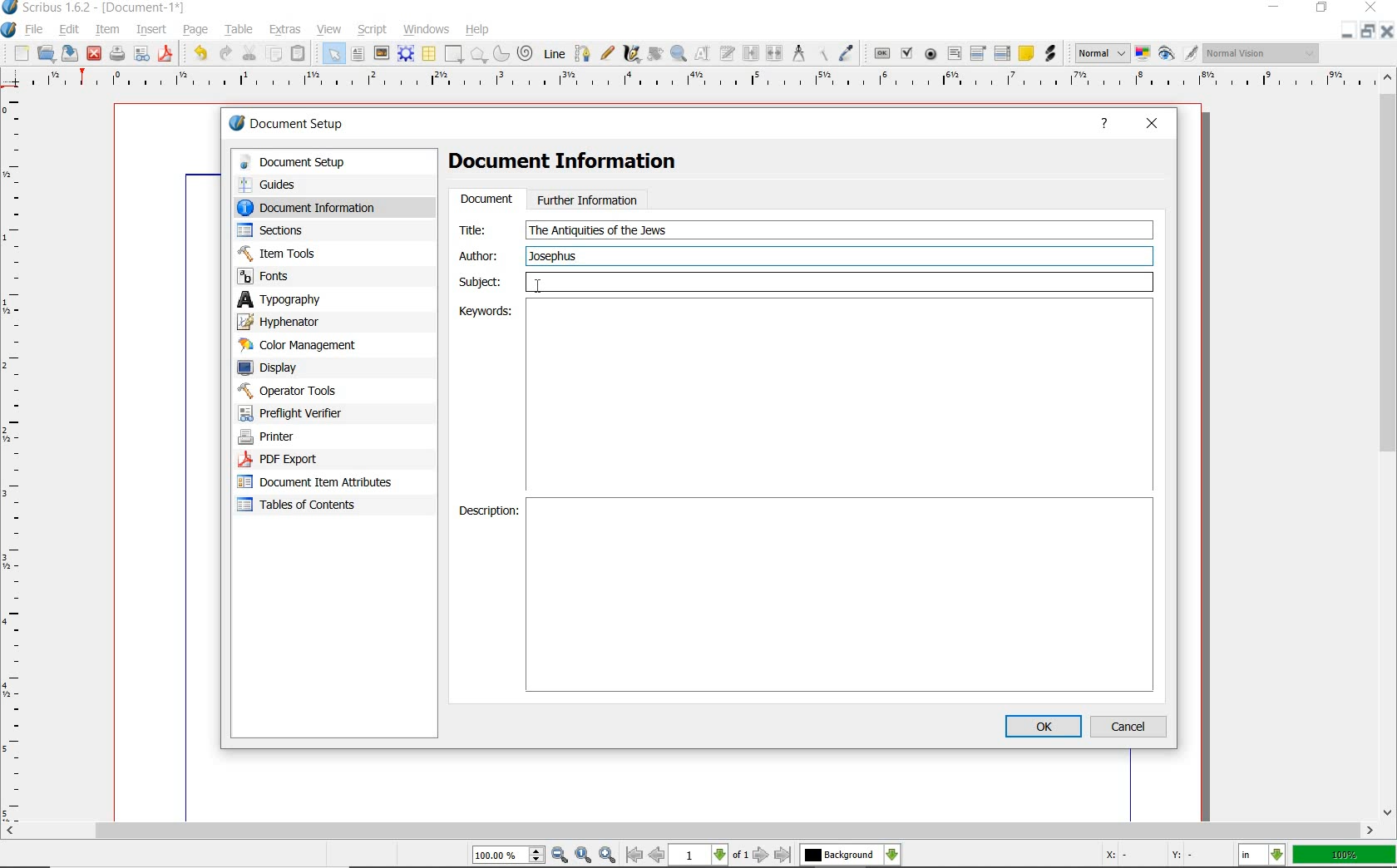 The width and height of the screenshot is (1397, 868). Describe the element at coordinates (1102, 54) in the screenshot. I see `select image preview mode` at that location.